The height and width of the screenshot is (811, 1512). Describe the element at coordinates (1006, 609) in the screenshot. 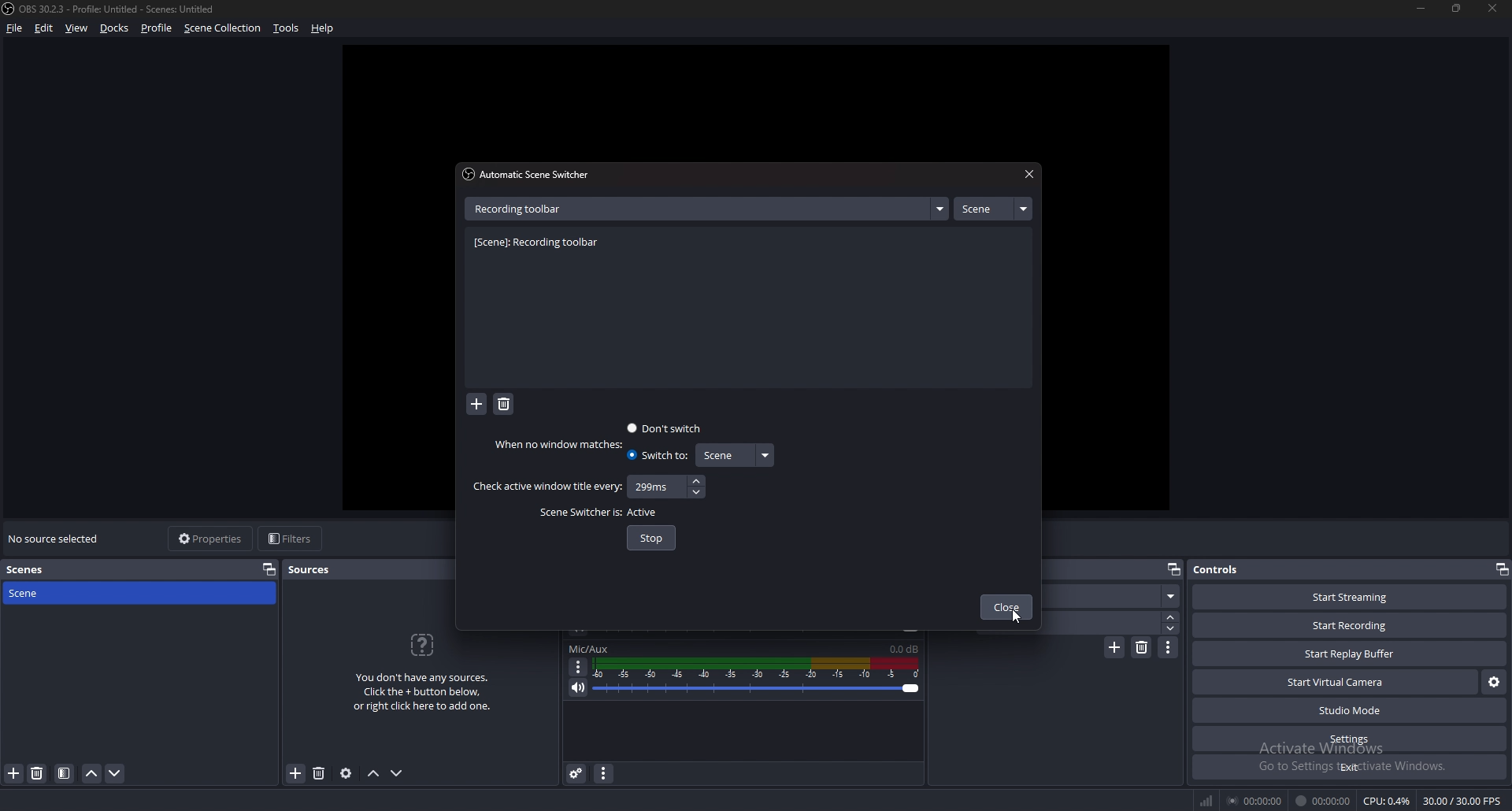

I see `close` at that location.